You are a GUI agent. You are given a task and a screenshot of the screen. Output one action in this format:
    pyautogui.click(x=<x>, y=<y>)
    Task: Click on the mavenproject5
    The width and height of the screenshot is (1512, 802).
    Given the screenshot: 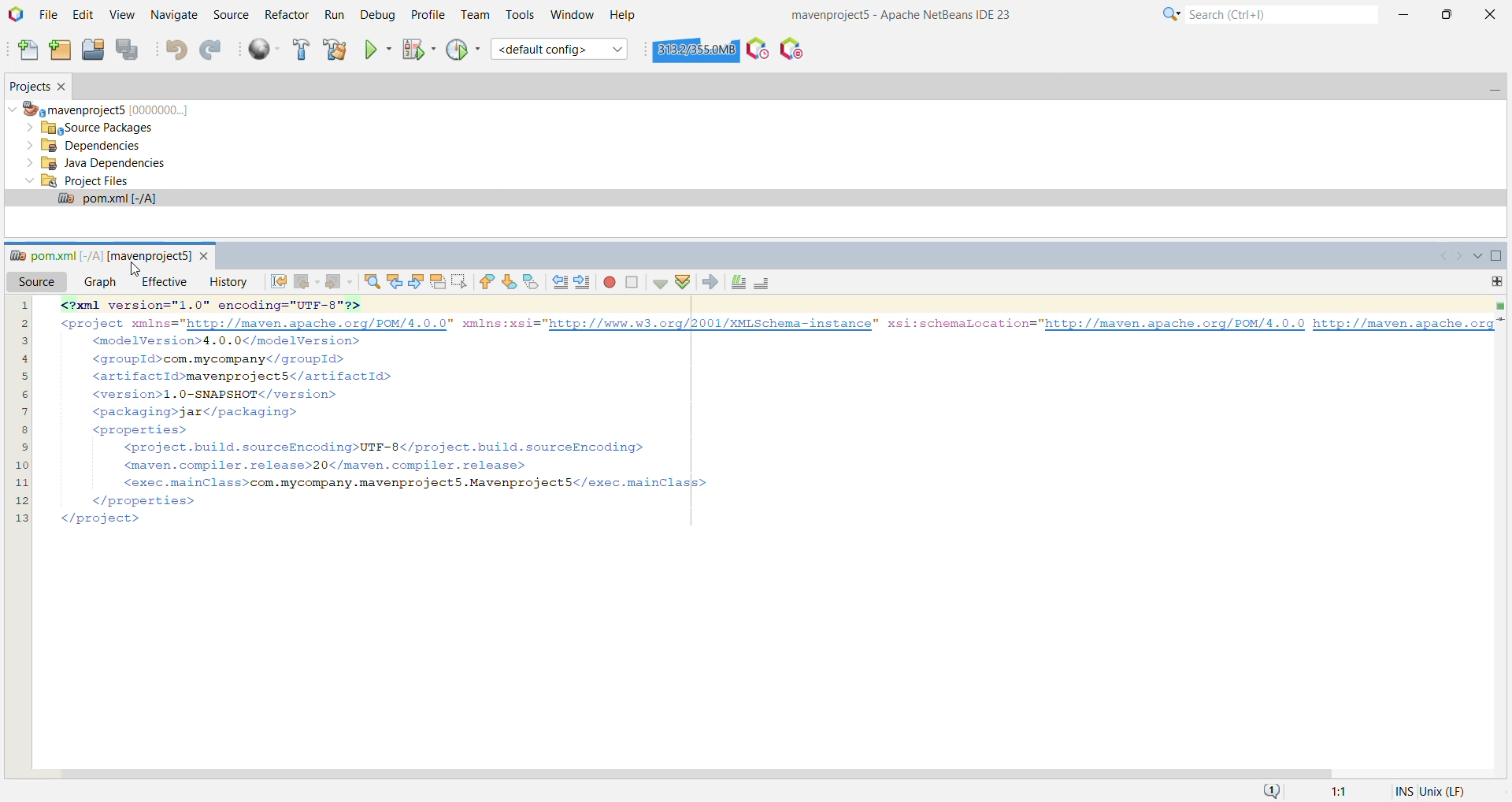 What is the action you would take?
    pyautogui.click(x=104, y=108)
    